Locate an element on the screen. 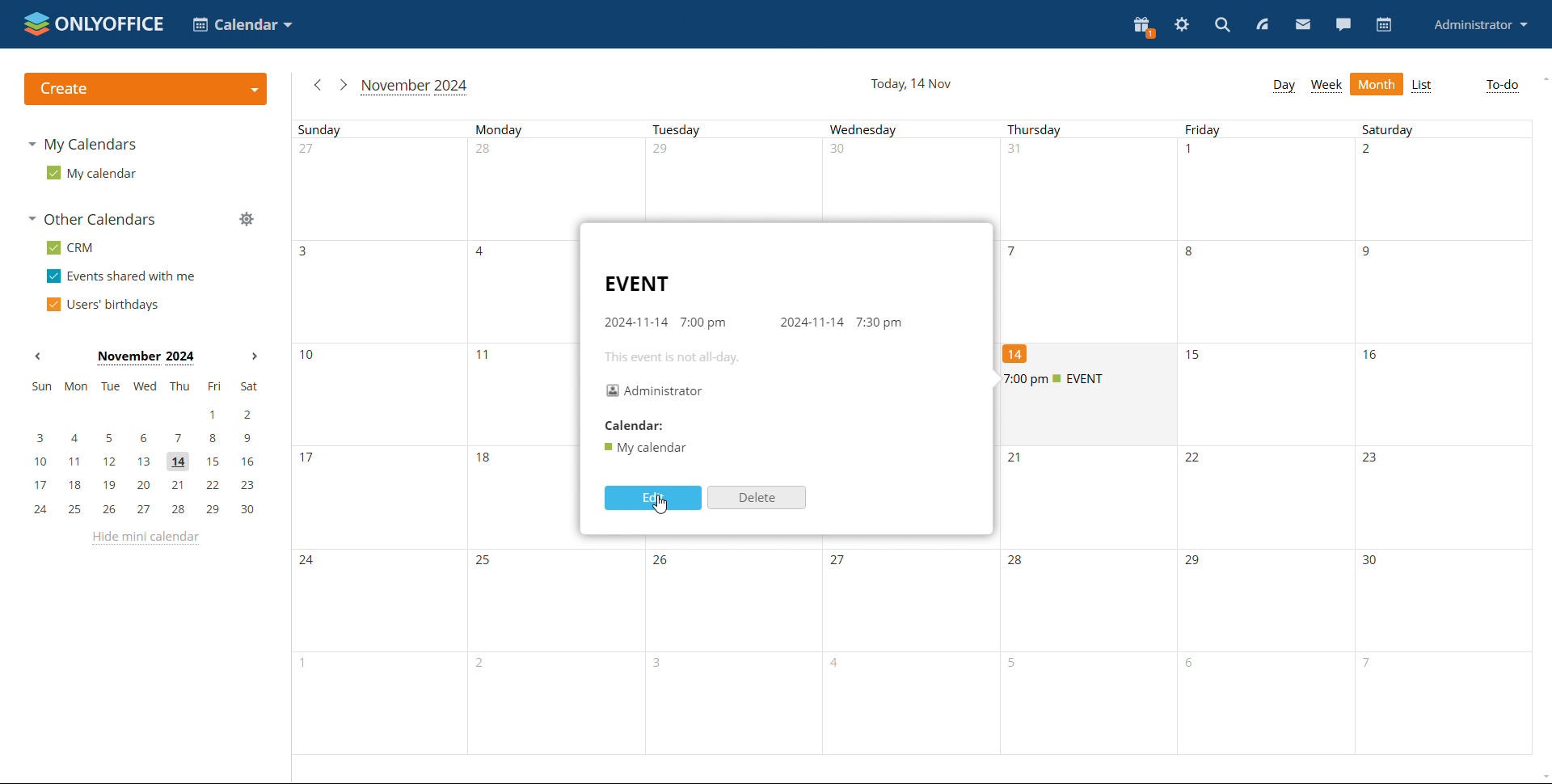 Image resolution: width=1552 pixels, height=784 pixels. organiser is located at coordinates (655, 391).